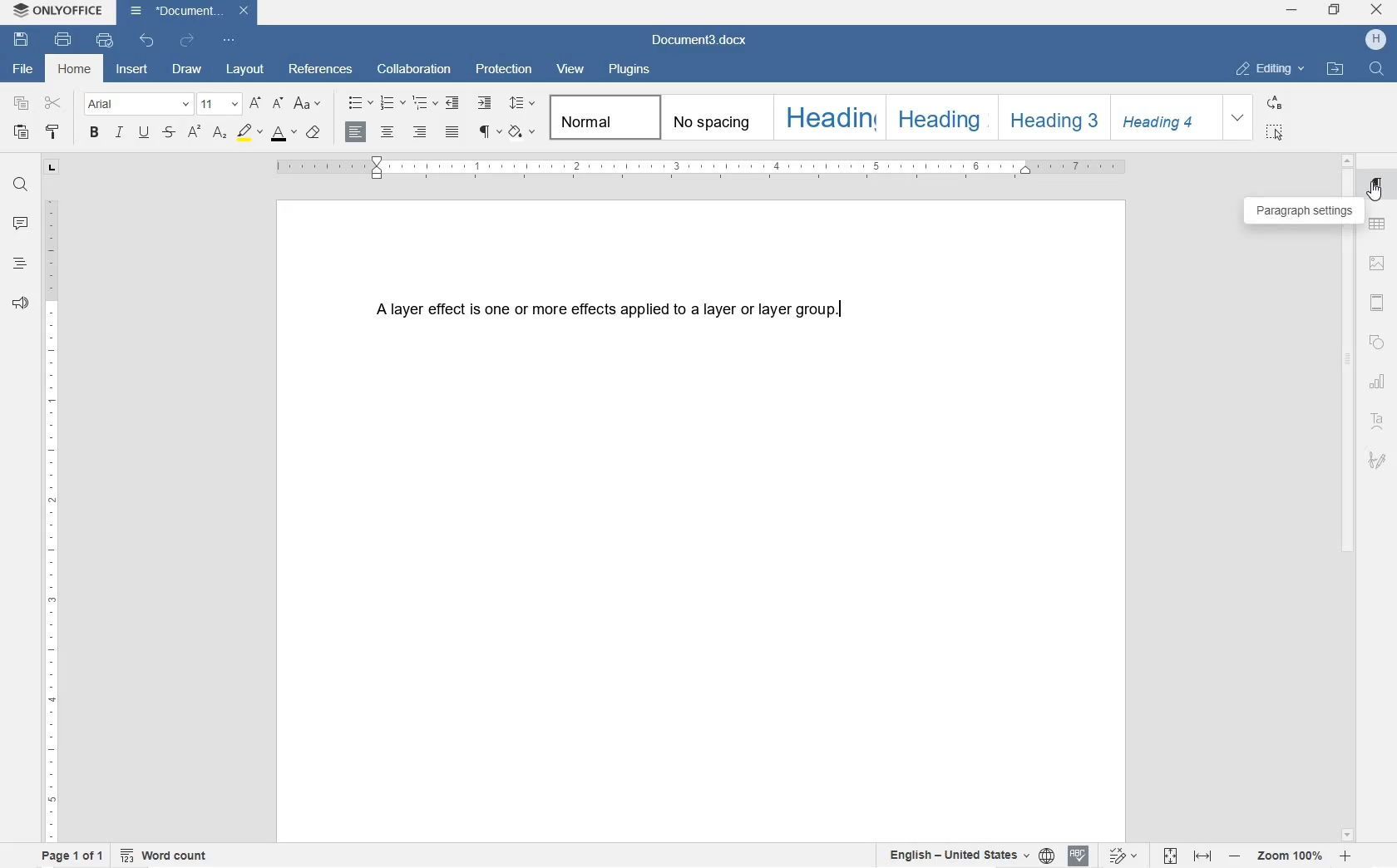 The height and width of the screenshot is (868, 1397). I want to click on JUSTIFIED, so click(452, 131).